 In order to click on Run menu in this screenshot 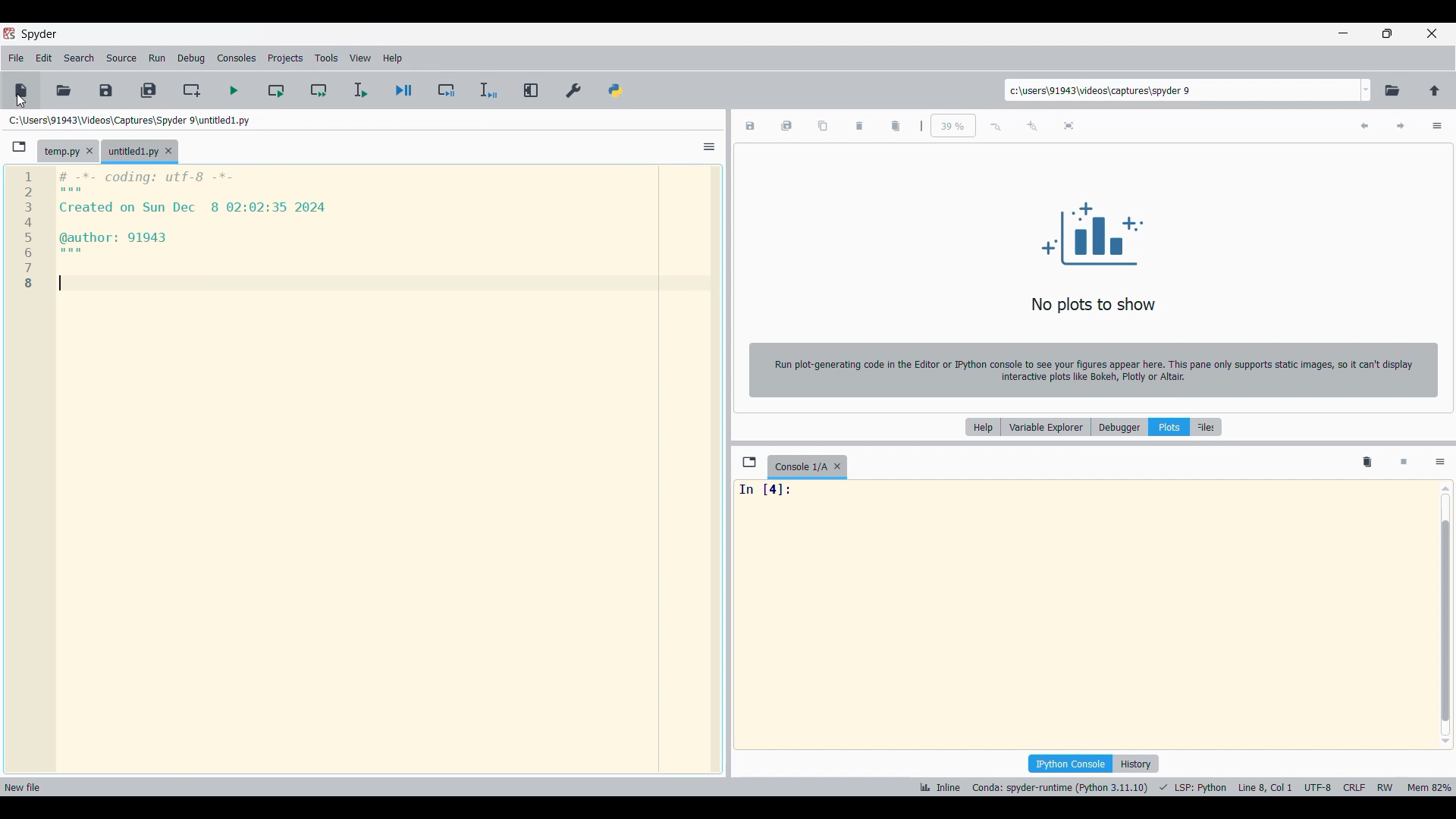, I will do `click(157, 58)`.